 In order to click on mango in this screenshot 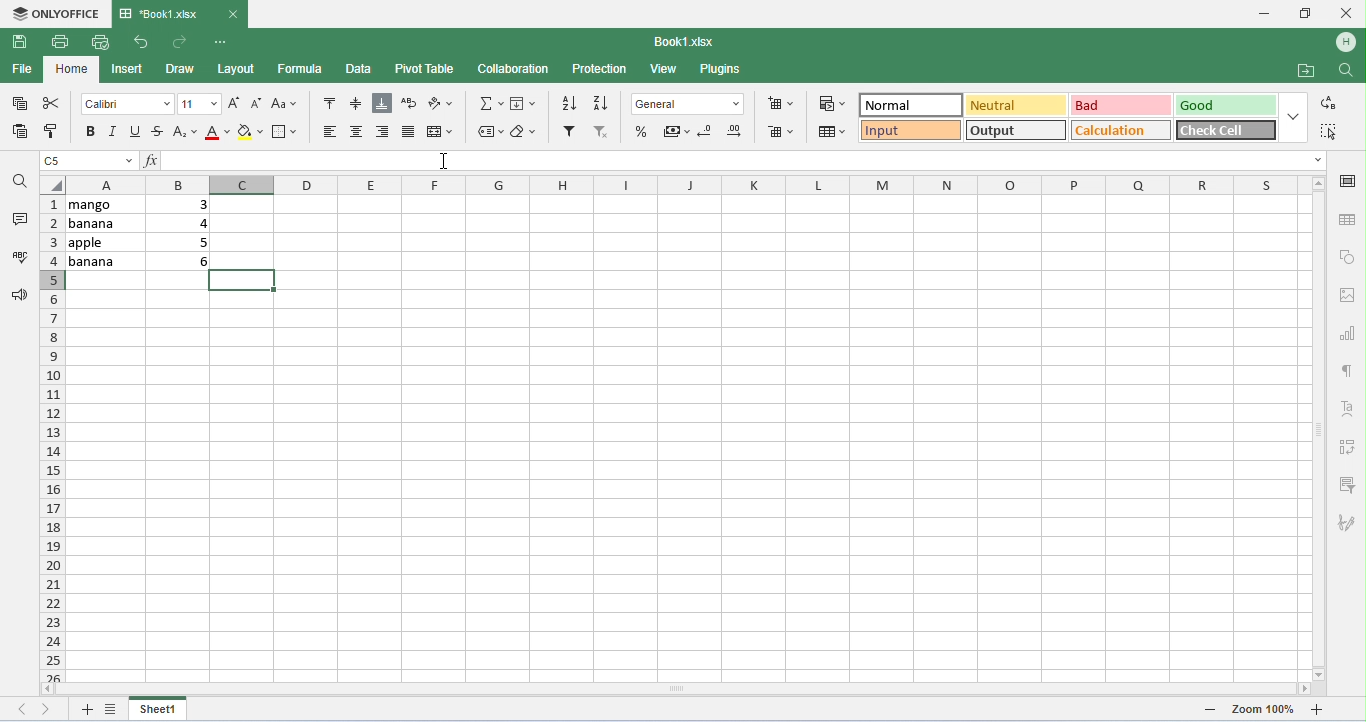, I will do `click(105, 205)`.